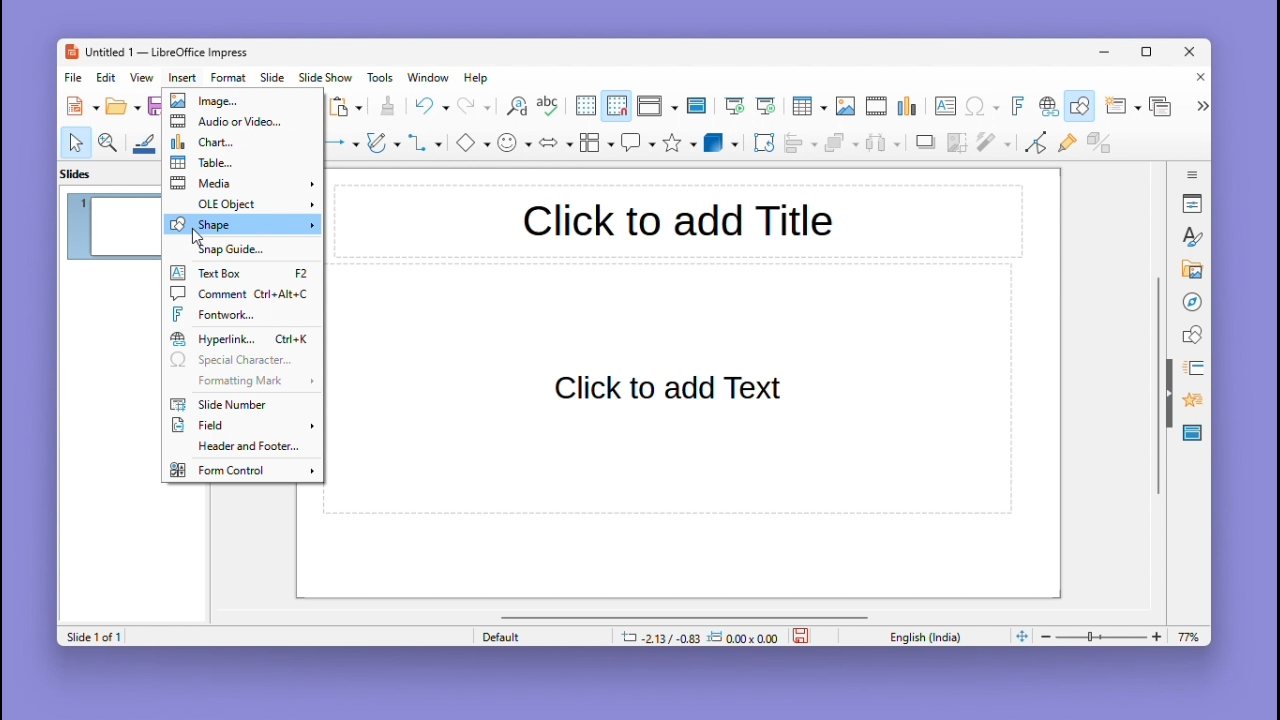 The width and height of the screenshot is (1280, 720). What do you see at coordinates (145, 77) in the screenshot?
I see `View` at bounding box center [145, 77].